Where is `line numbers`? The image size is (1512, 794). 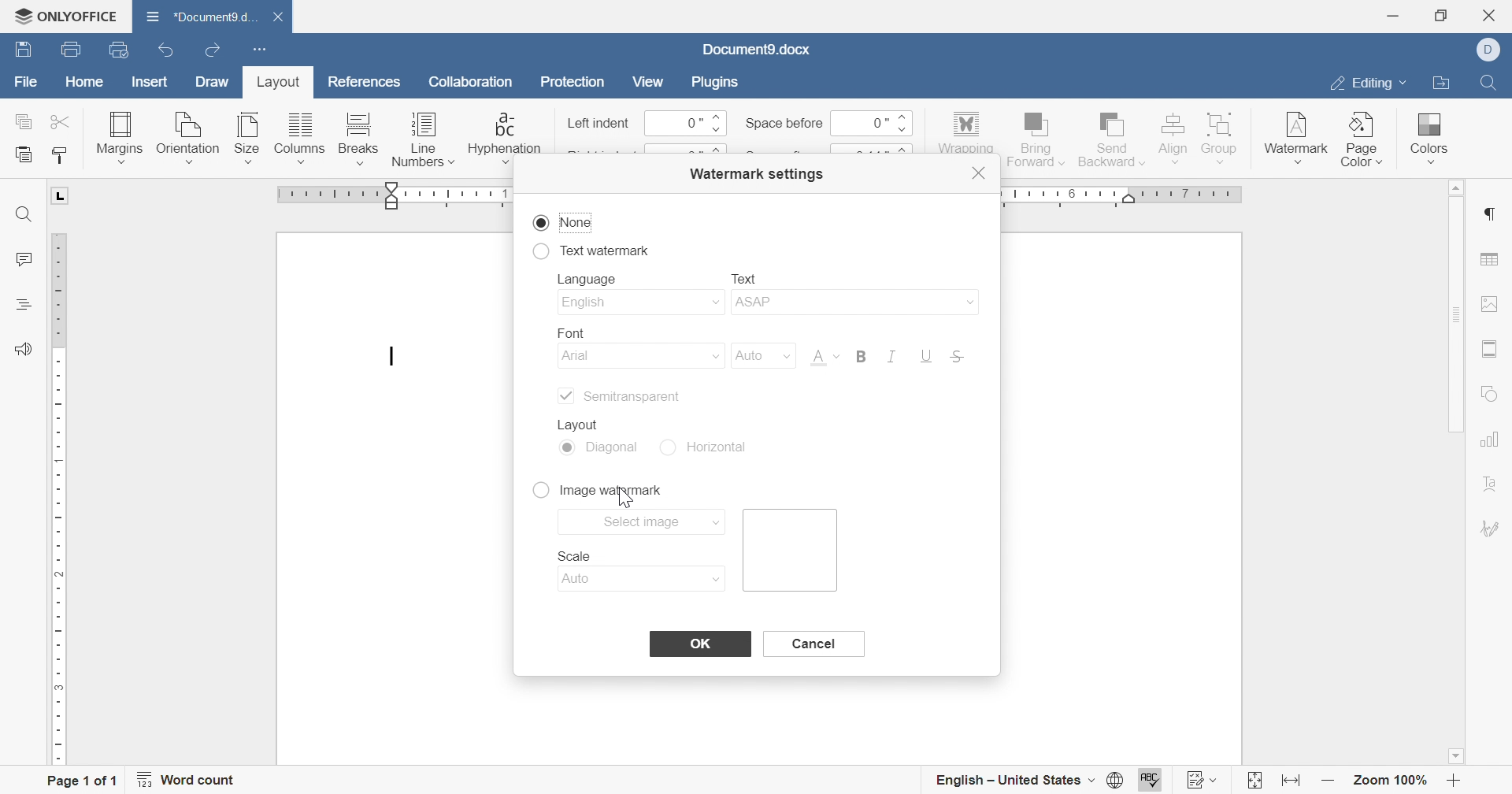
line numbers is located at coordinates (423, 143).